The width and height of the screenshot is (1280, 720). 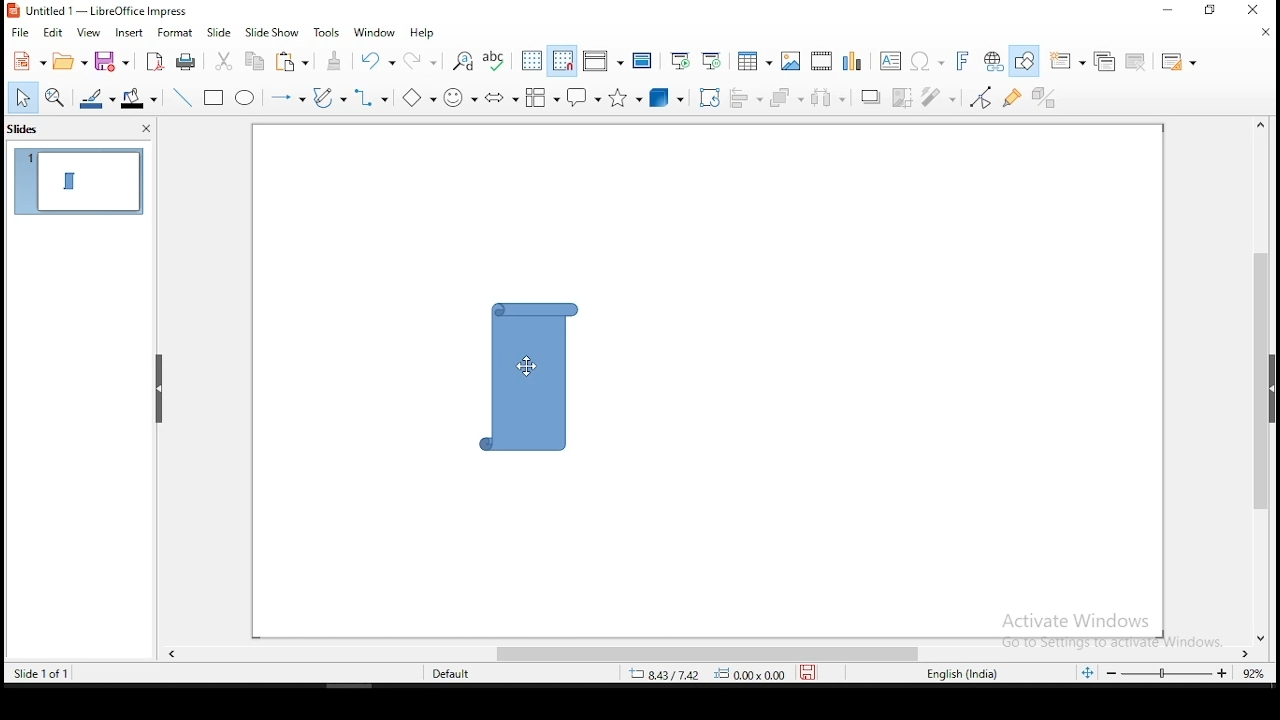 I want to click on master slide, so click(x=643, y=61).